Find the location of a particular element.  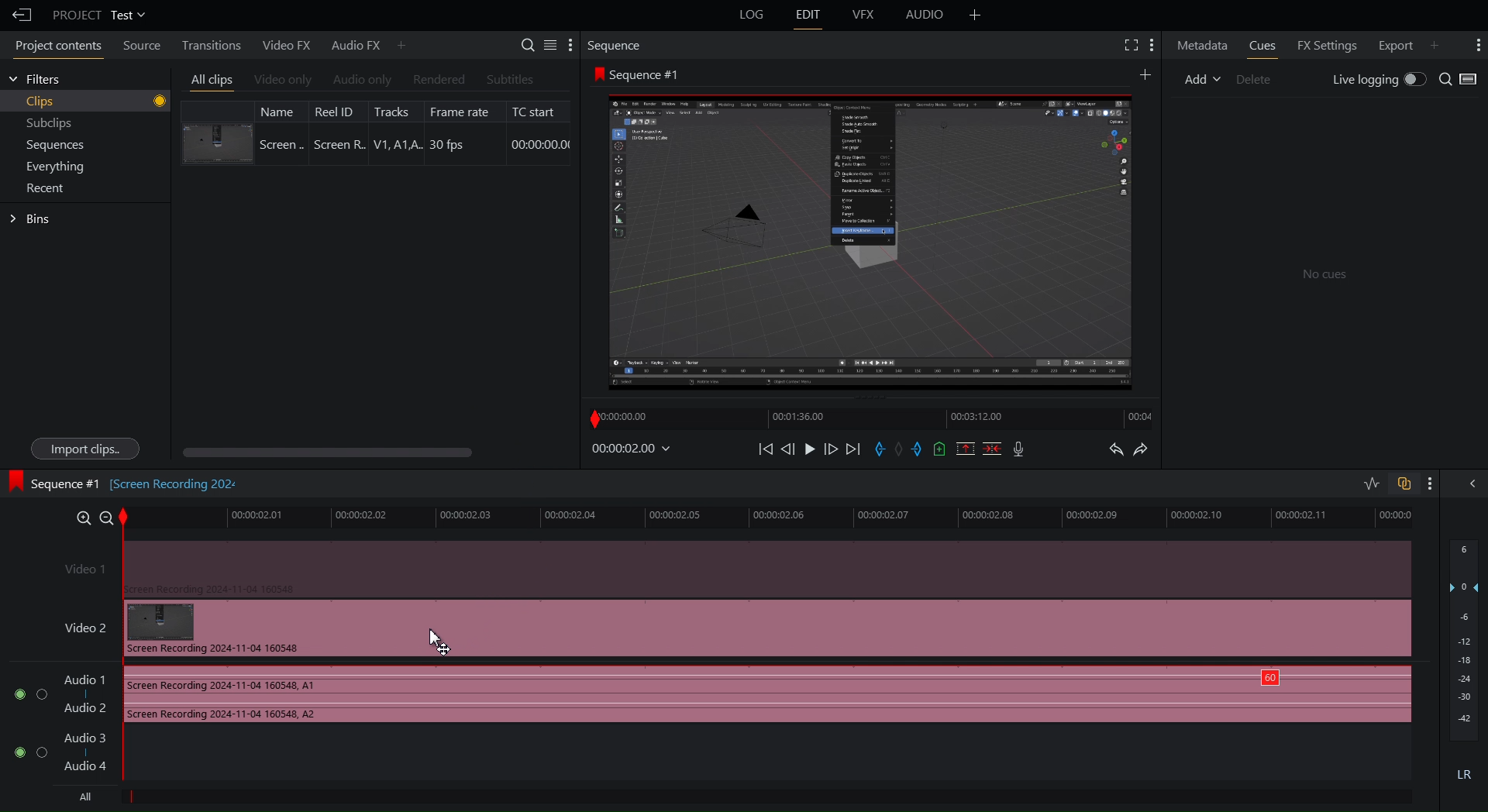

Toggles is located at coordinates (1387, 485).